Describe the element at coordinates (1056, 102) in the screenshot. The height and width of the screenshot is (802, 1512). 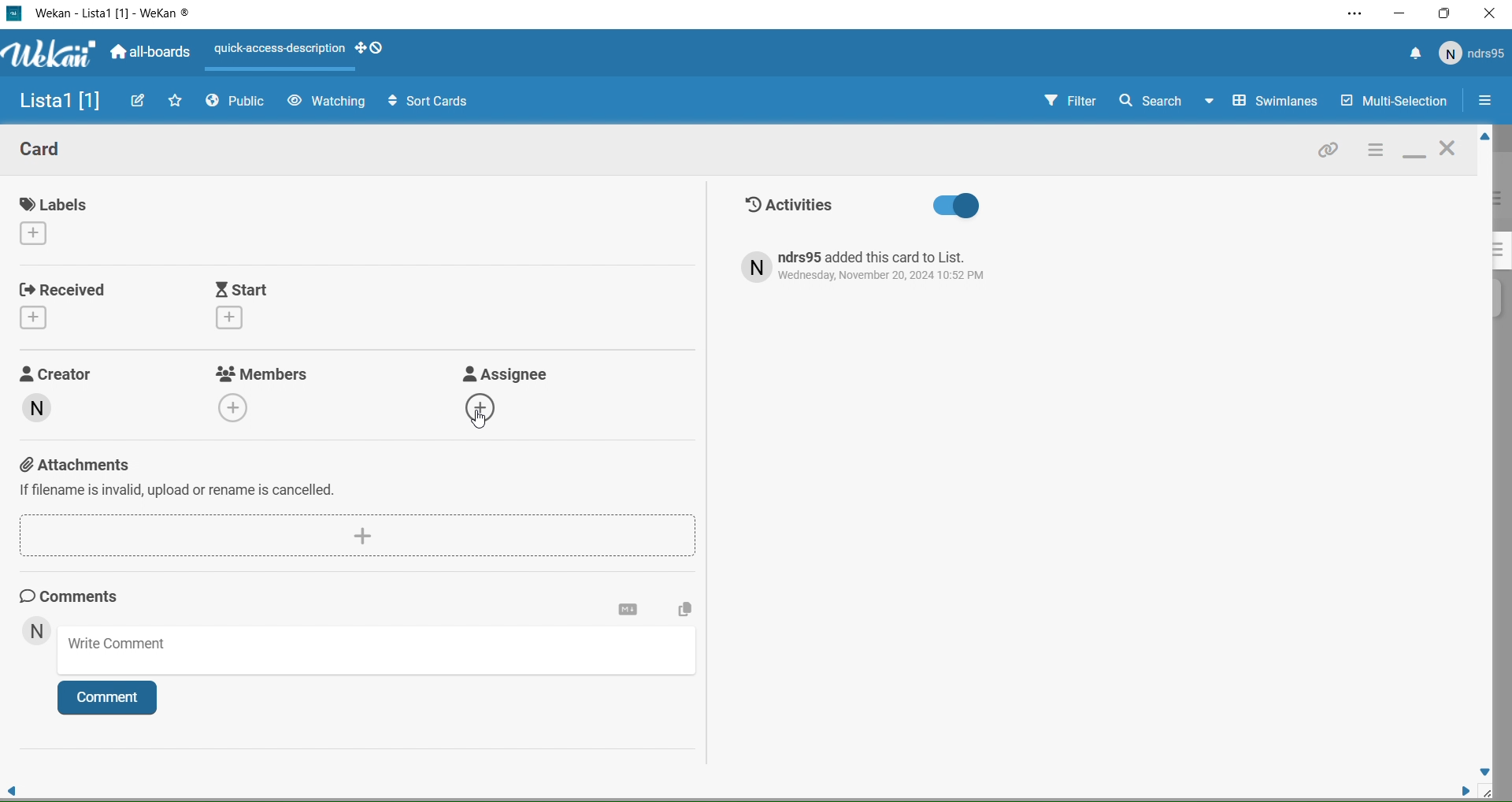
I see `Filter` at that location.